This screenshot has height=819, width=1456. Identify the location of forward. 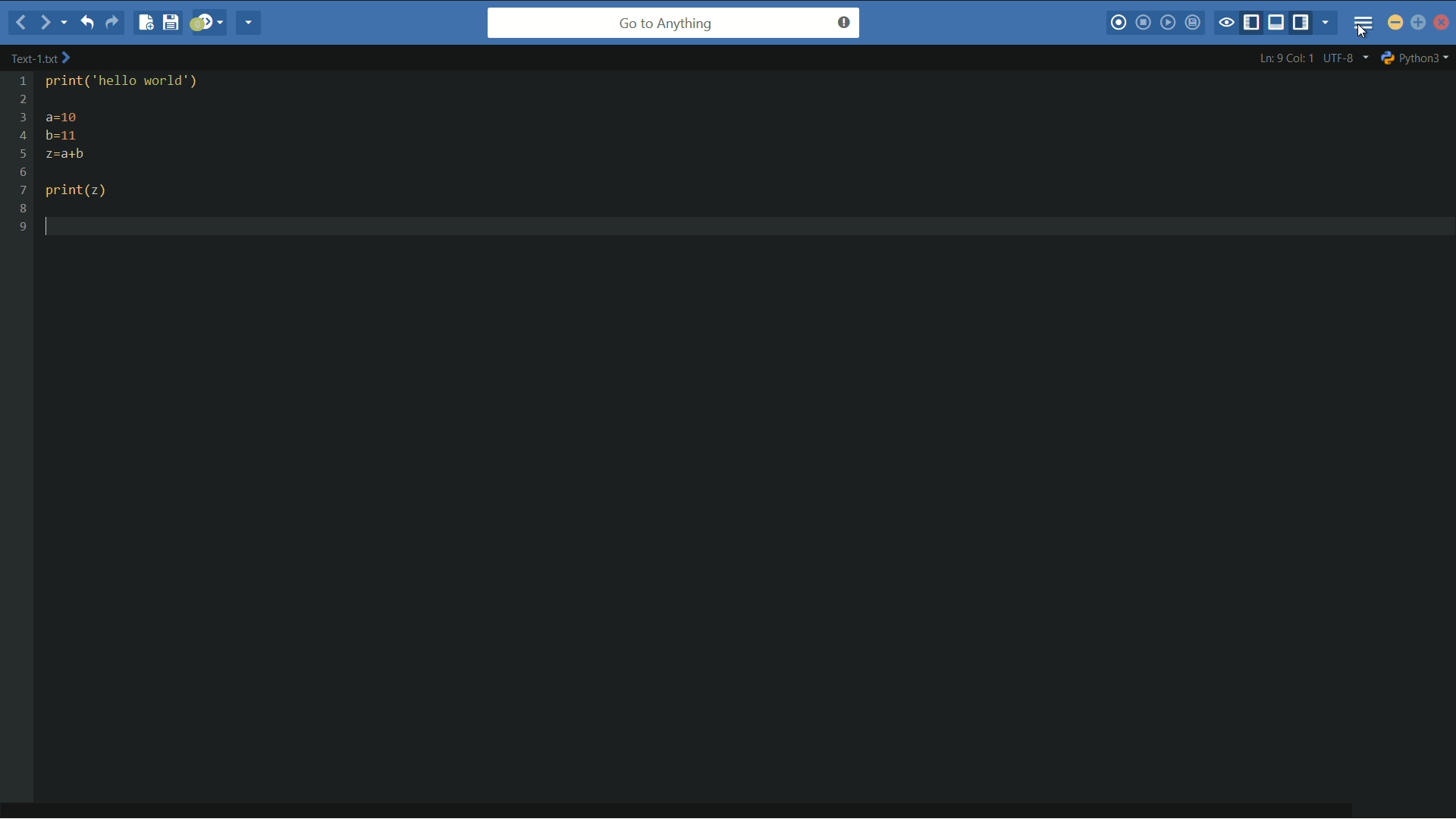
(42, 22).